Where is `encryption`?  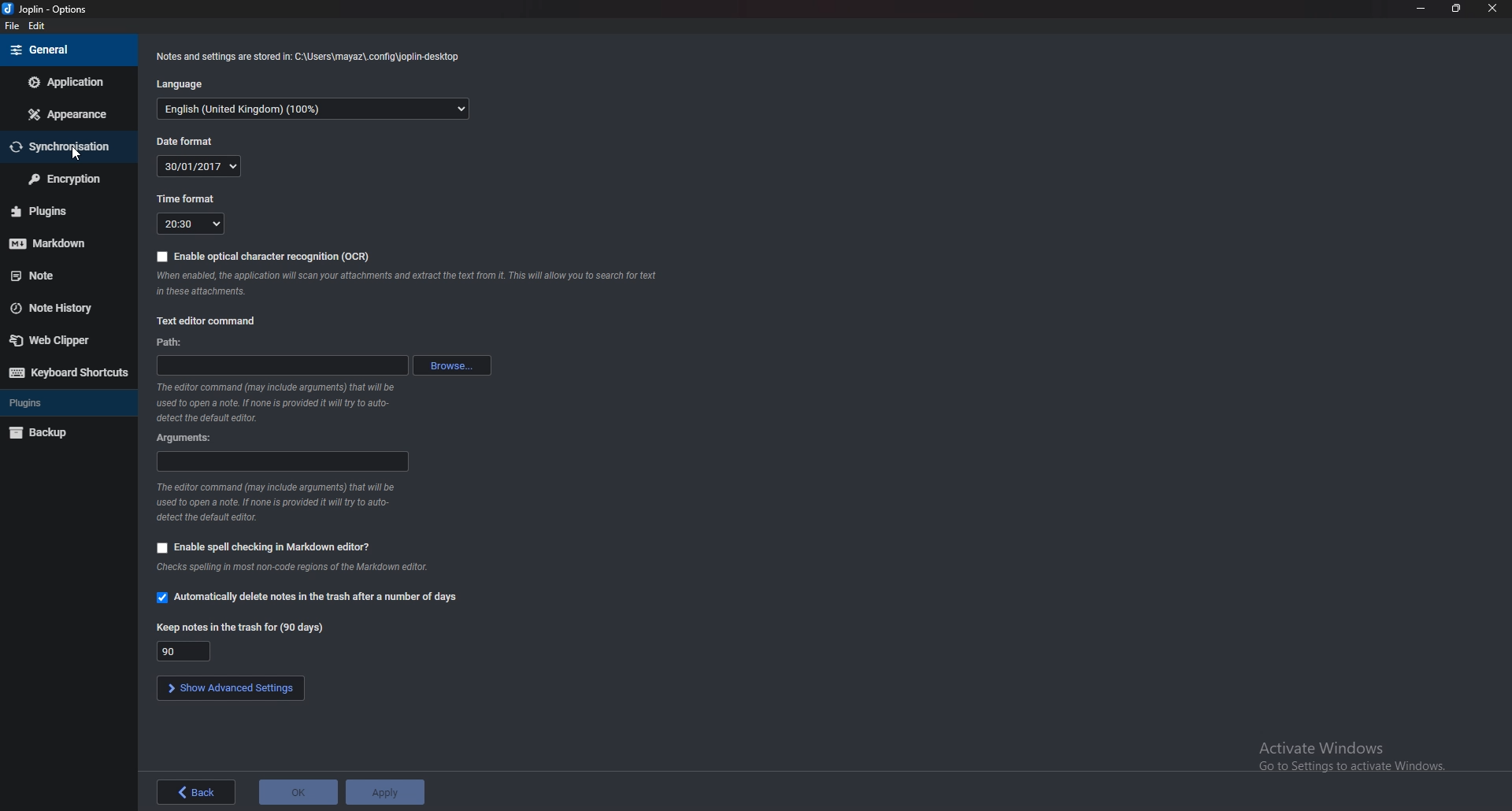
encryption is located at coordinates (63, 180).